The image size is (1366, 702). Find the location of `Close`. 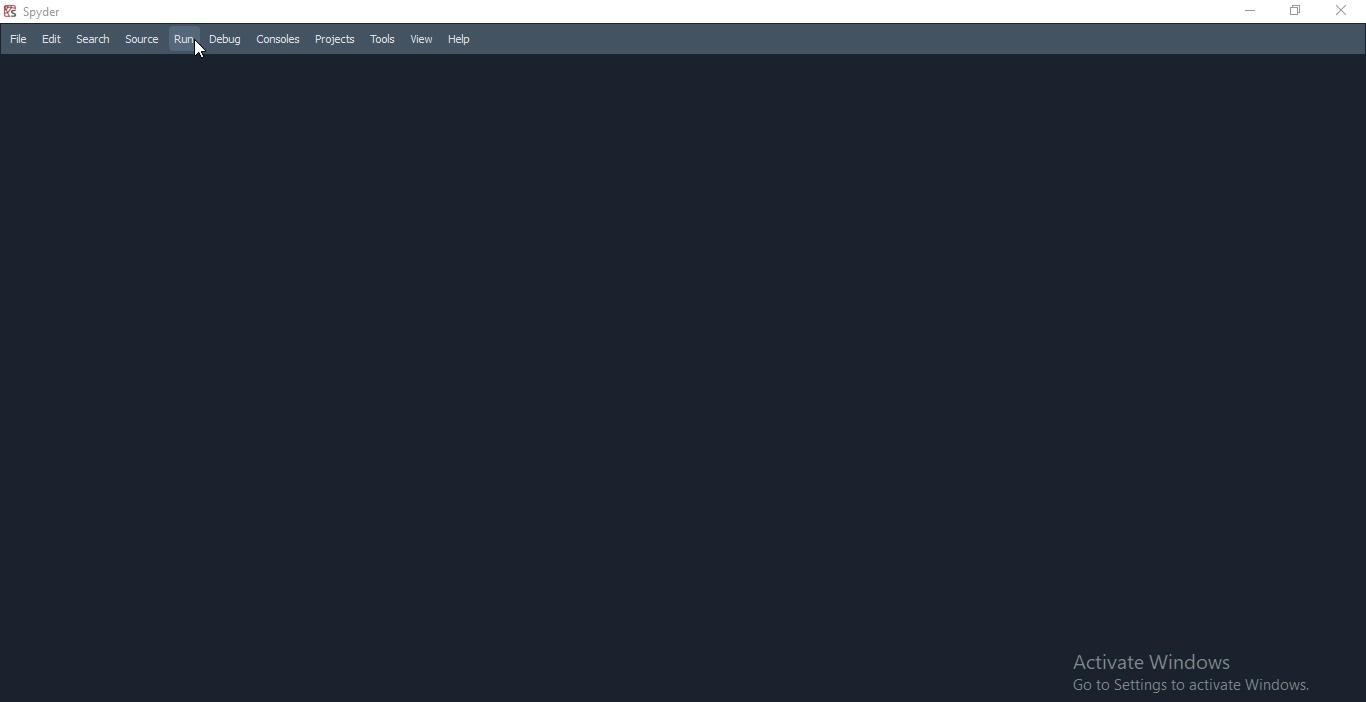

Close is located at coordinates (1248, 10).